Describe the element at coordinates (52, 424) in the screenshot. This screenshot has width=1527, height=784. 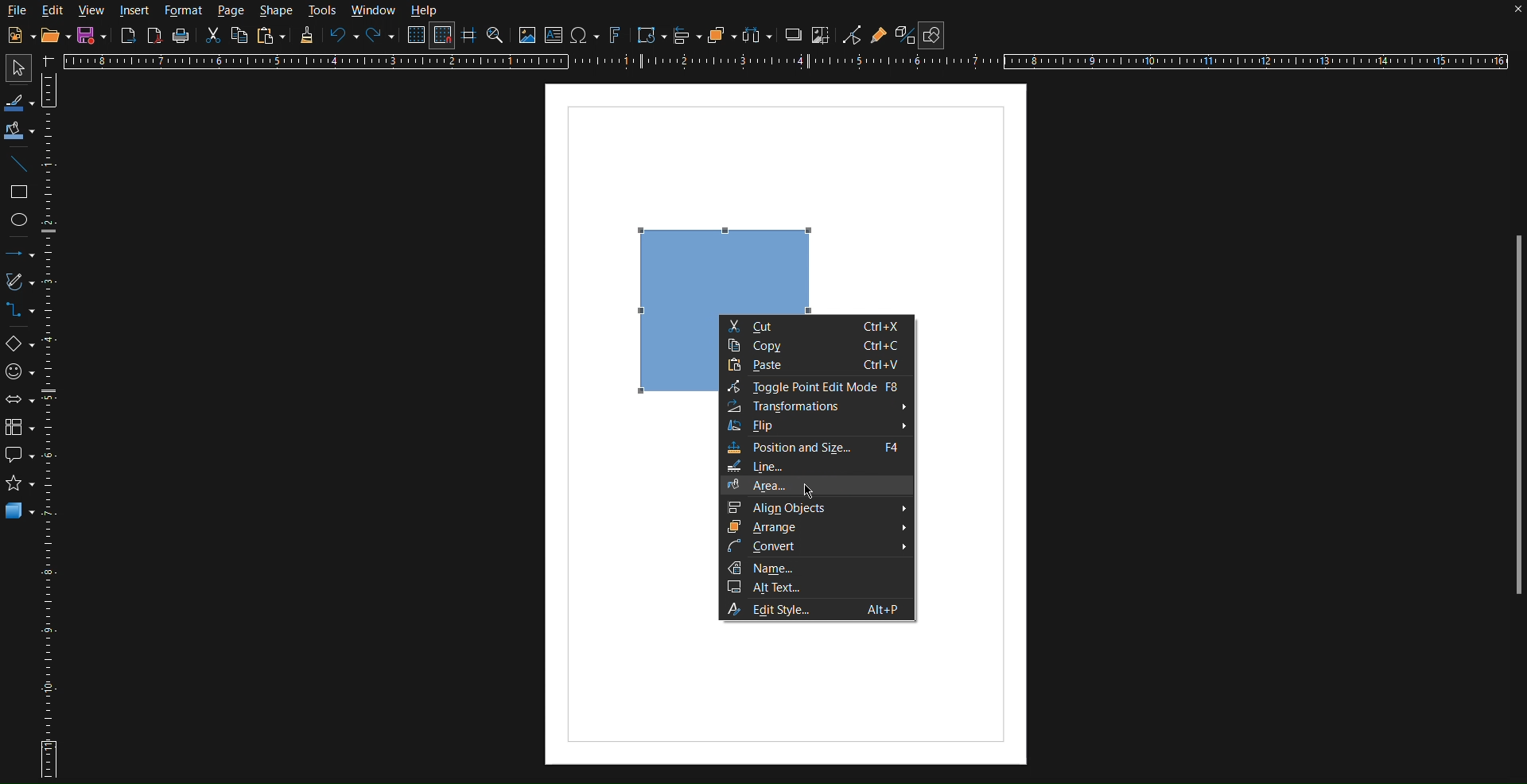
I see `Vertical Ruler` at that location.